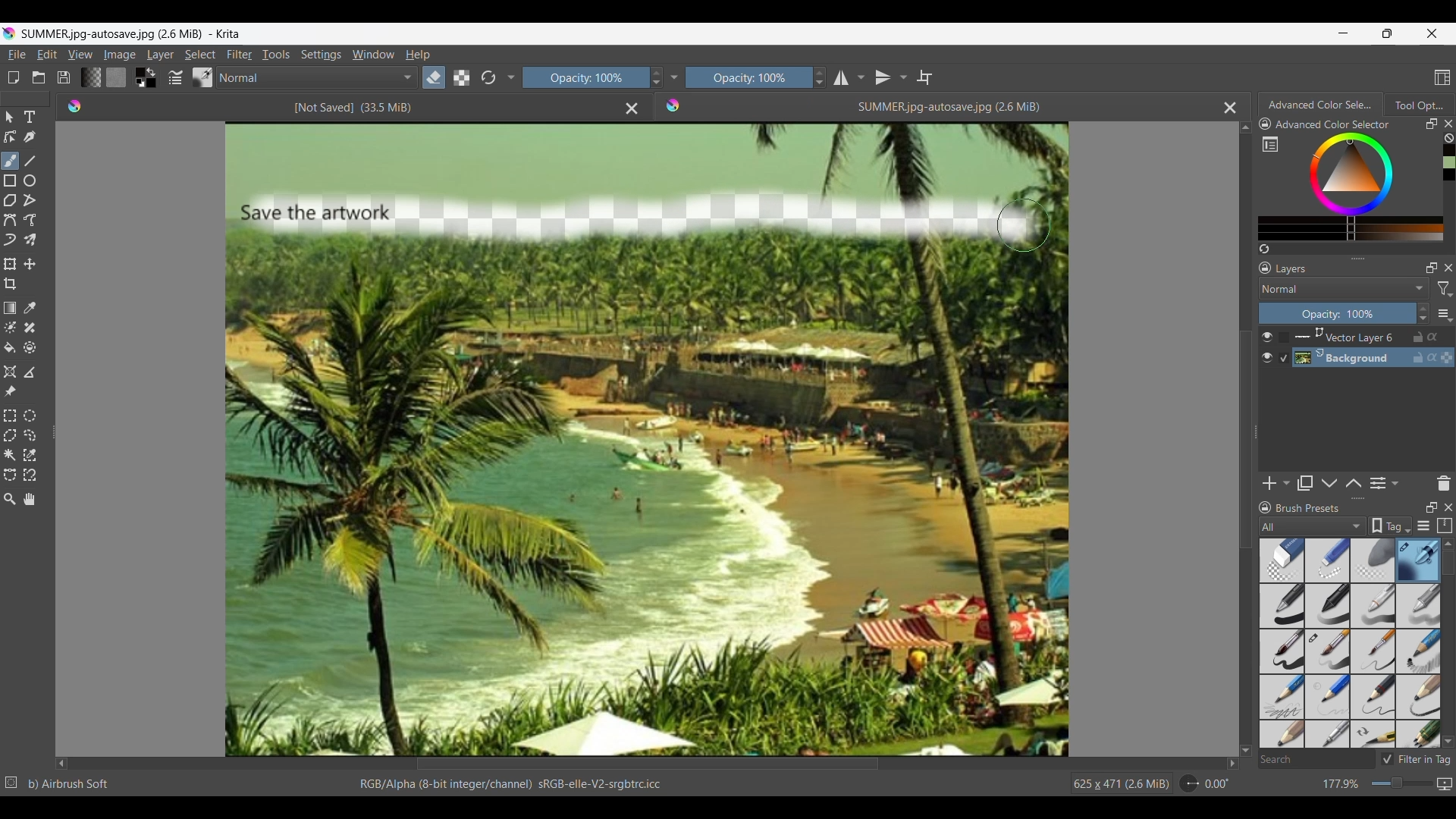 The image size is (1456, 819). What do you see at coordinates (583, 78) in the screenshot?
I see `Opacity 100%` at bounding box center [583, 78].